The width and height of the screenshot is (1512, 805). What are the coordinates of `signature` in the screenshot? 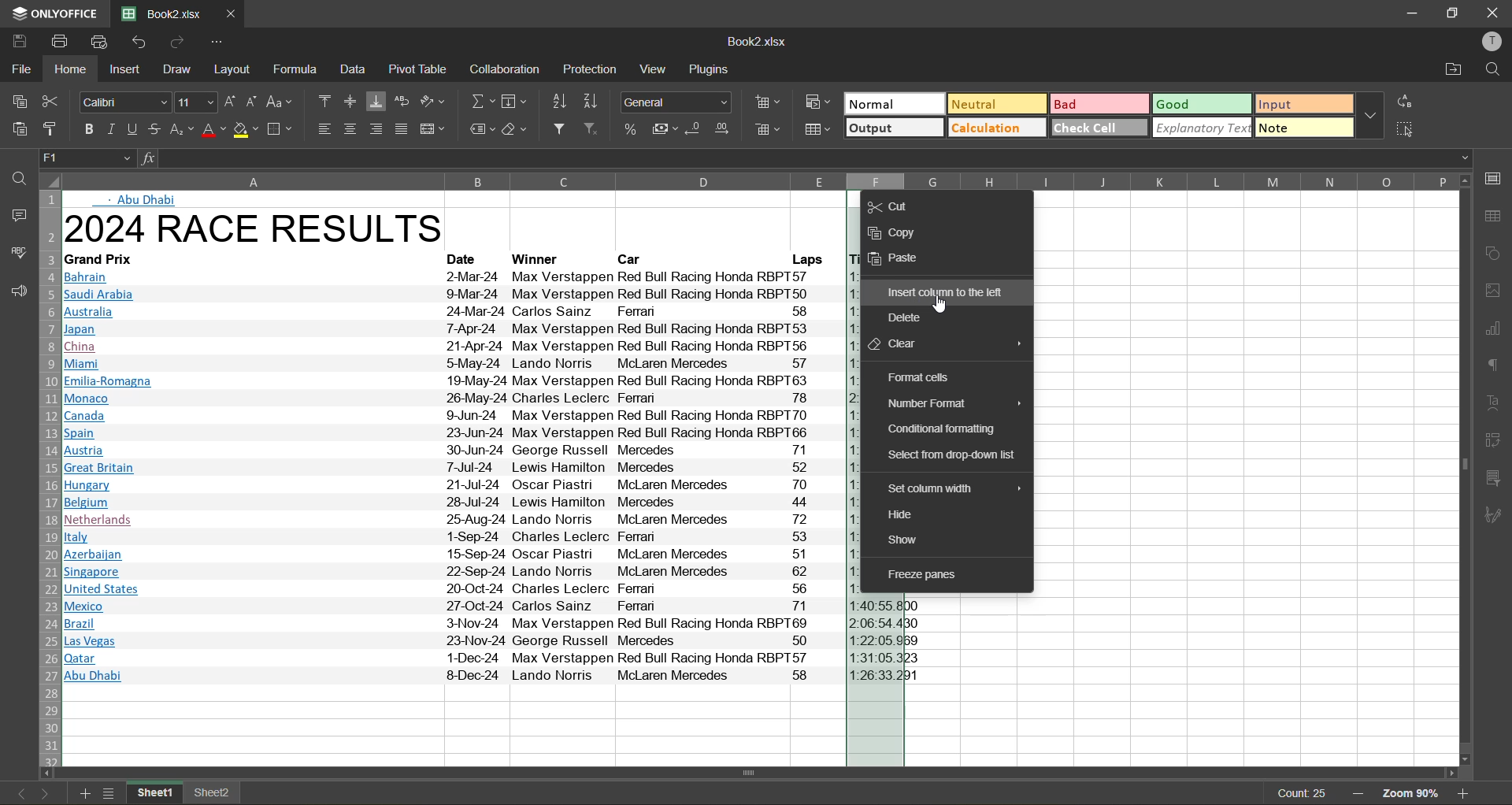 It's located at (1497, 516).